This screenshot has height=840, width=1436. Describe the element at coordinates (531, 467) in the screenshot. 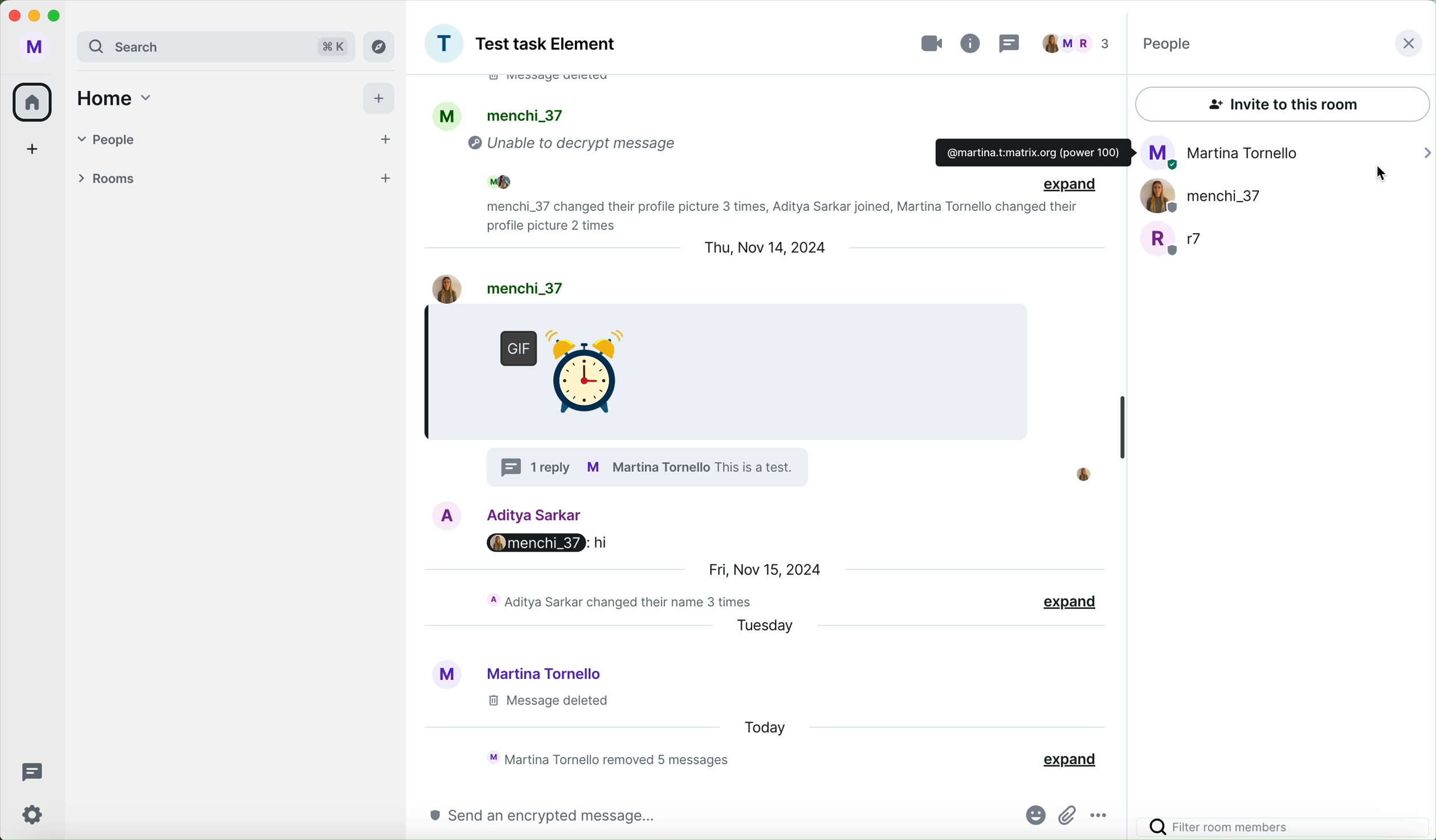

I see `1 reply in thread` at that location.